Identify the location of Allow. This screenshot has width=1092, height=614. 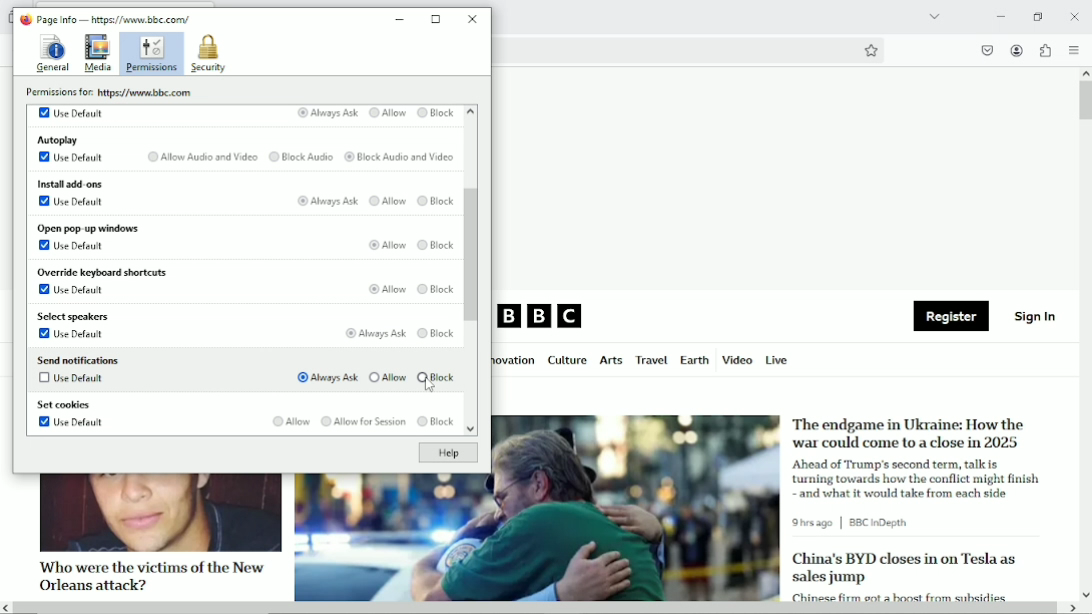
(387, 114).